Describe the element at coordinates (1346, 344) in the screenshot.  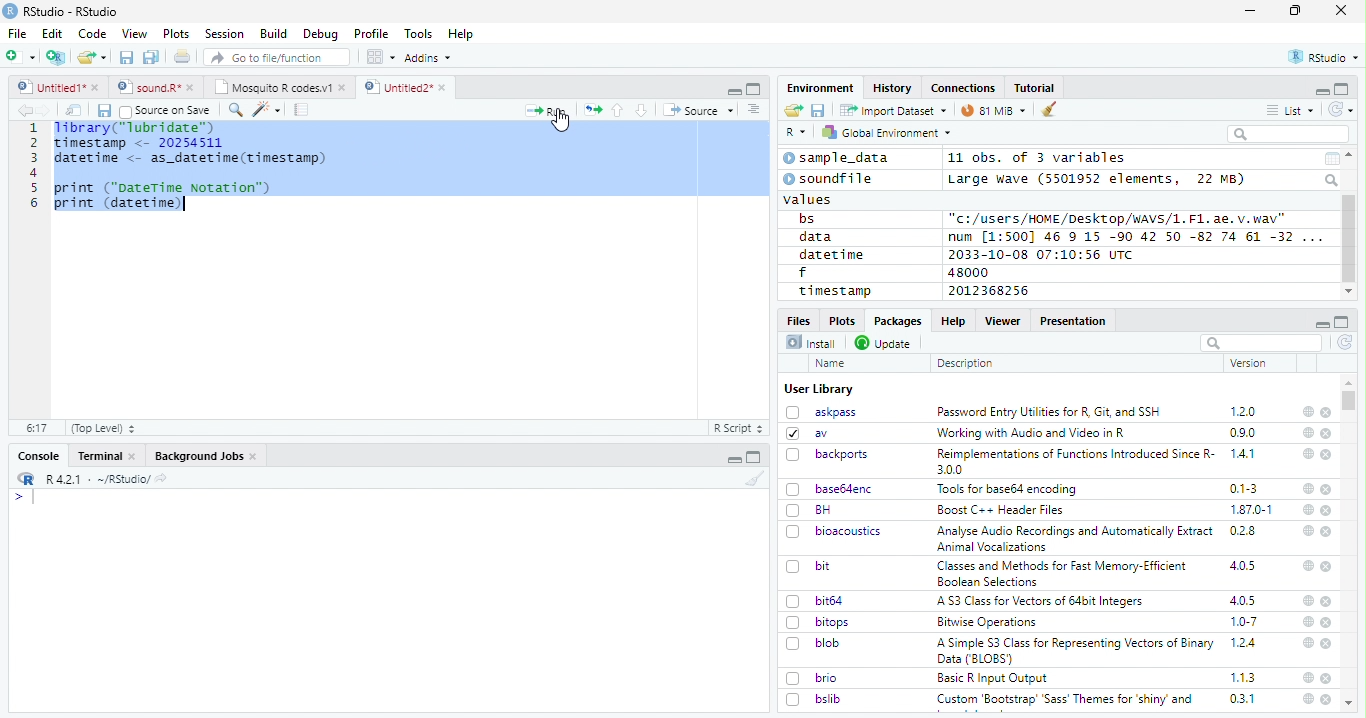
I see `Refresh` at that location.